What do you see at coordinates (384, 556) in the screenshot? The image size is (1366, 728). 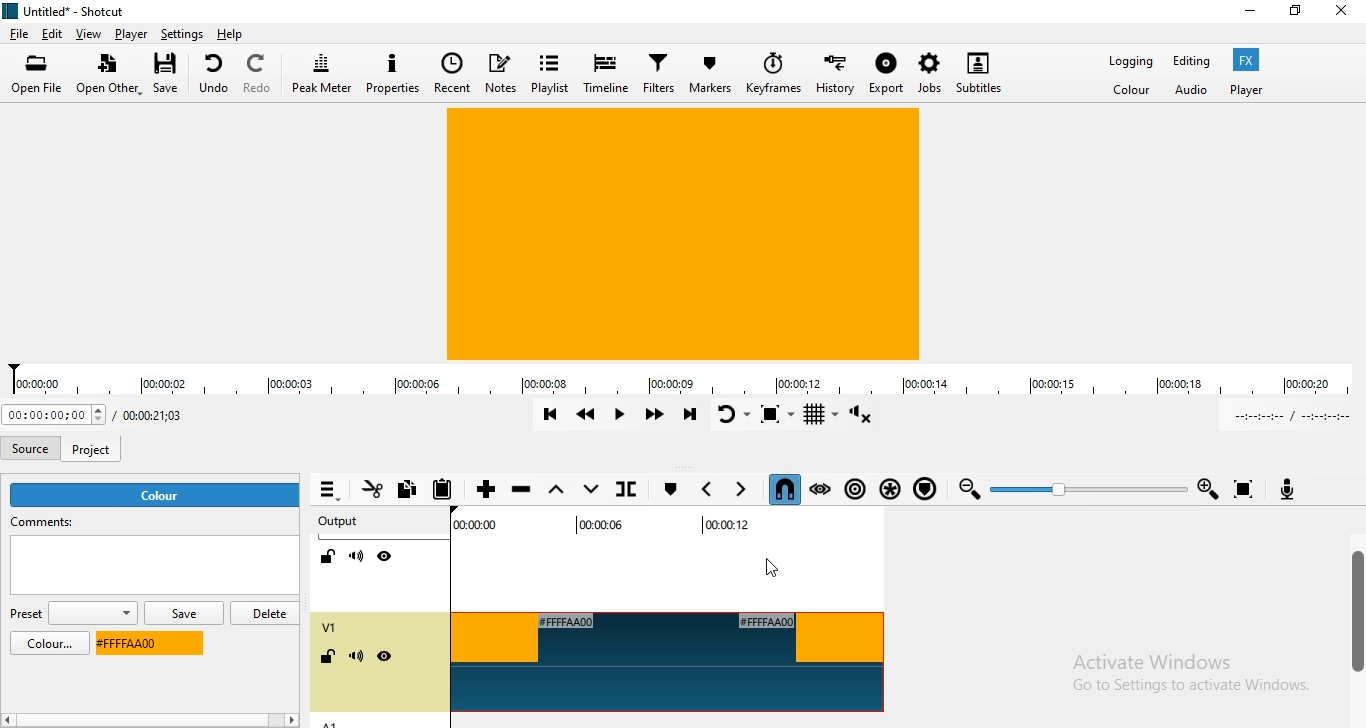 I see `Hide` at bounding box center [384, 556].